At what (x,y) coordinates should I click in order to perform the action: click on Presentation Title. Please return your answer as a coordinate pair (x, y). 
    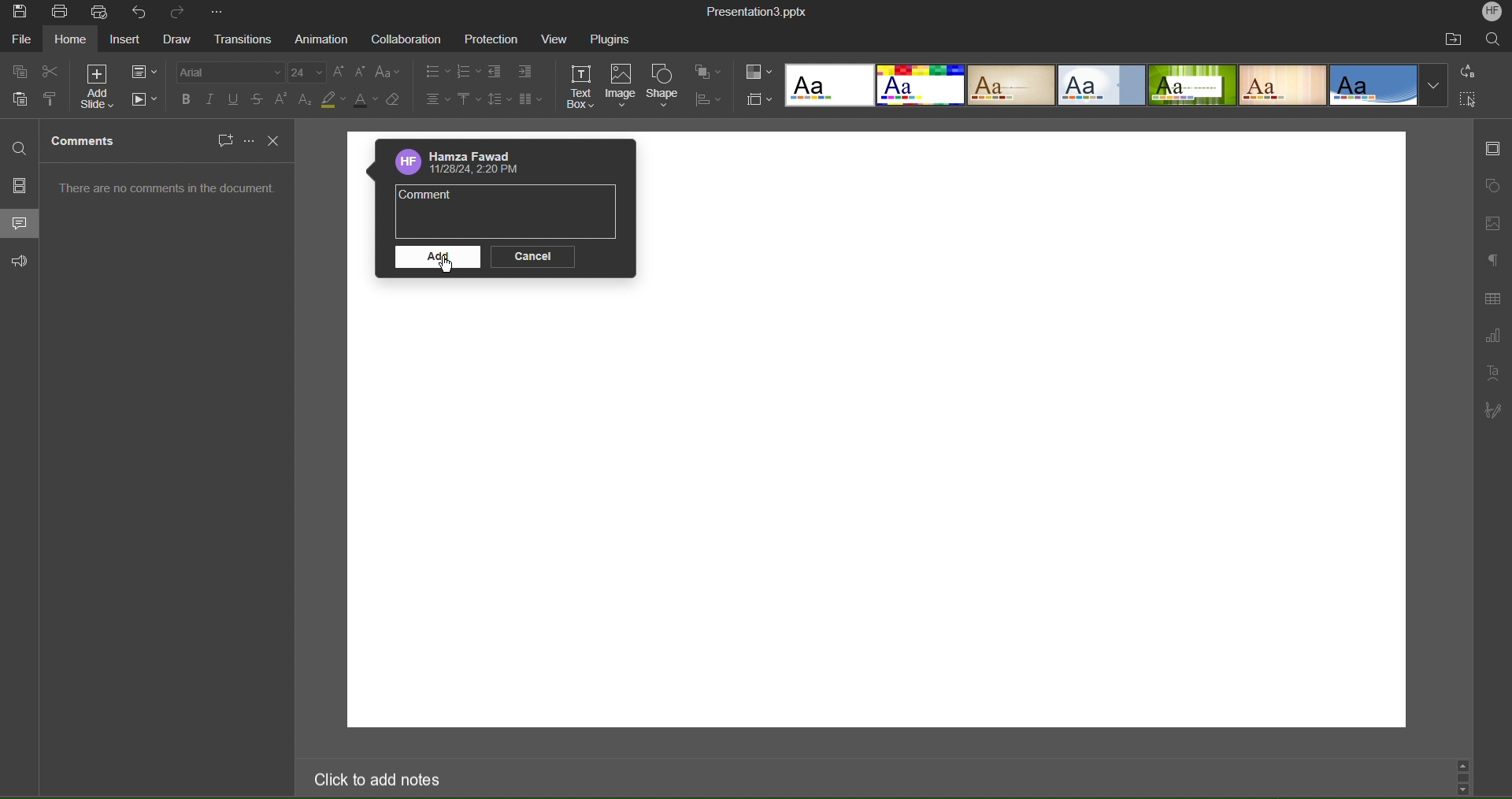
    Looking at the image, I should click on (754, 12).